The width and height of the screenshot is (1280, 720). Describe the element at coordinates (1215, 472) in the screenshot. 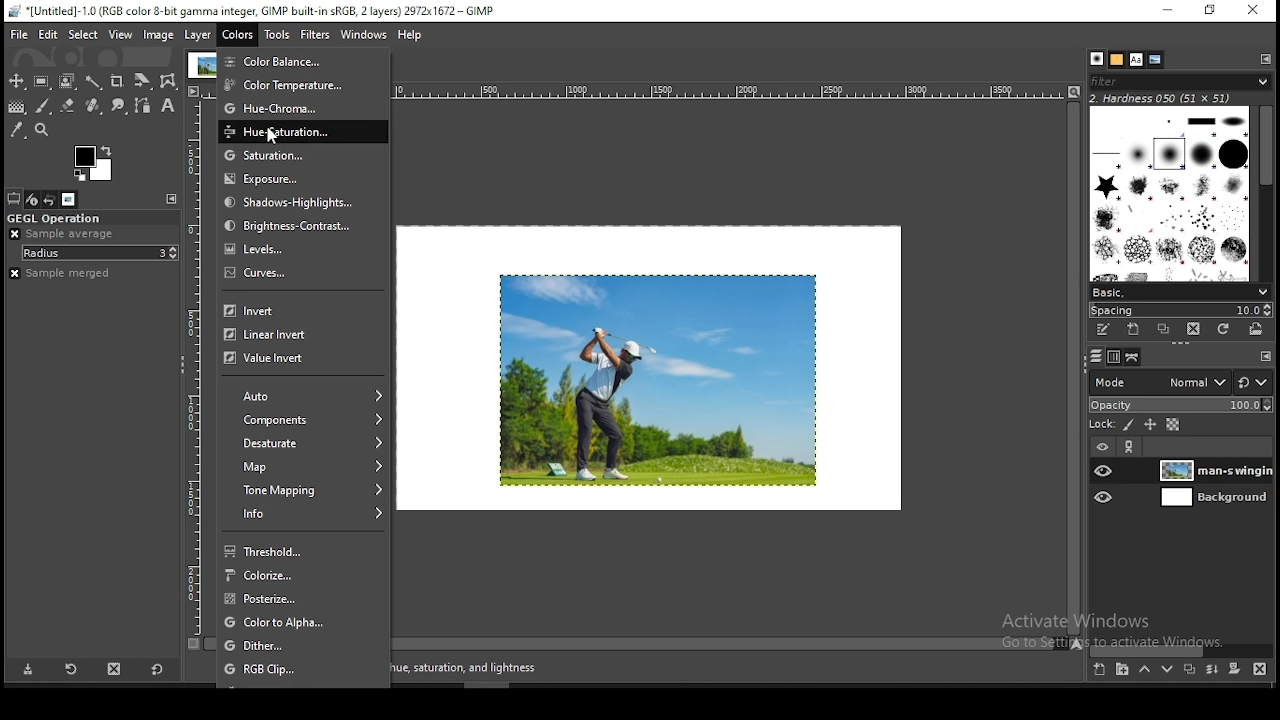

I see `layer ` at that location.